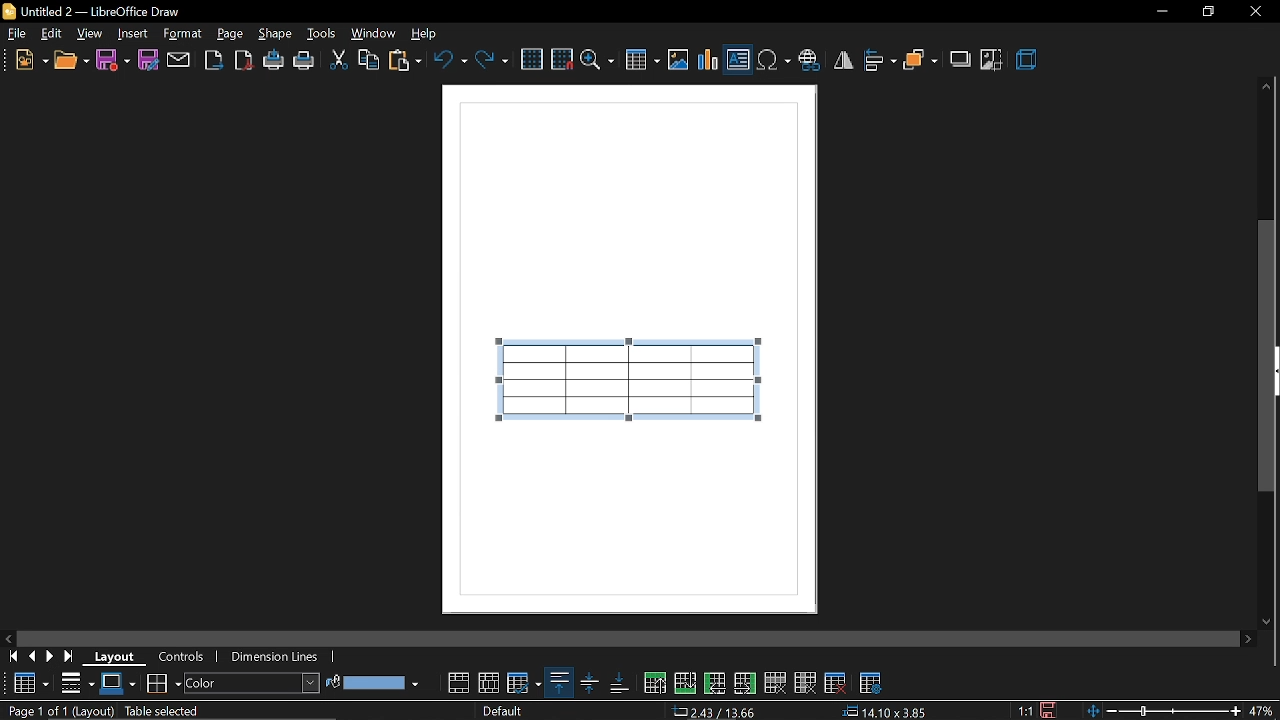 This screenshot has width=1280, height=720. I want to click on window, so click(374, 33).